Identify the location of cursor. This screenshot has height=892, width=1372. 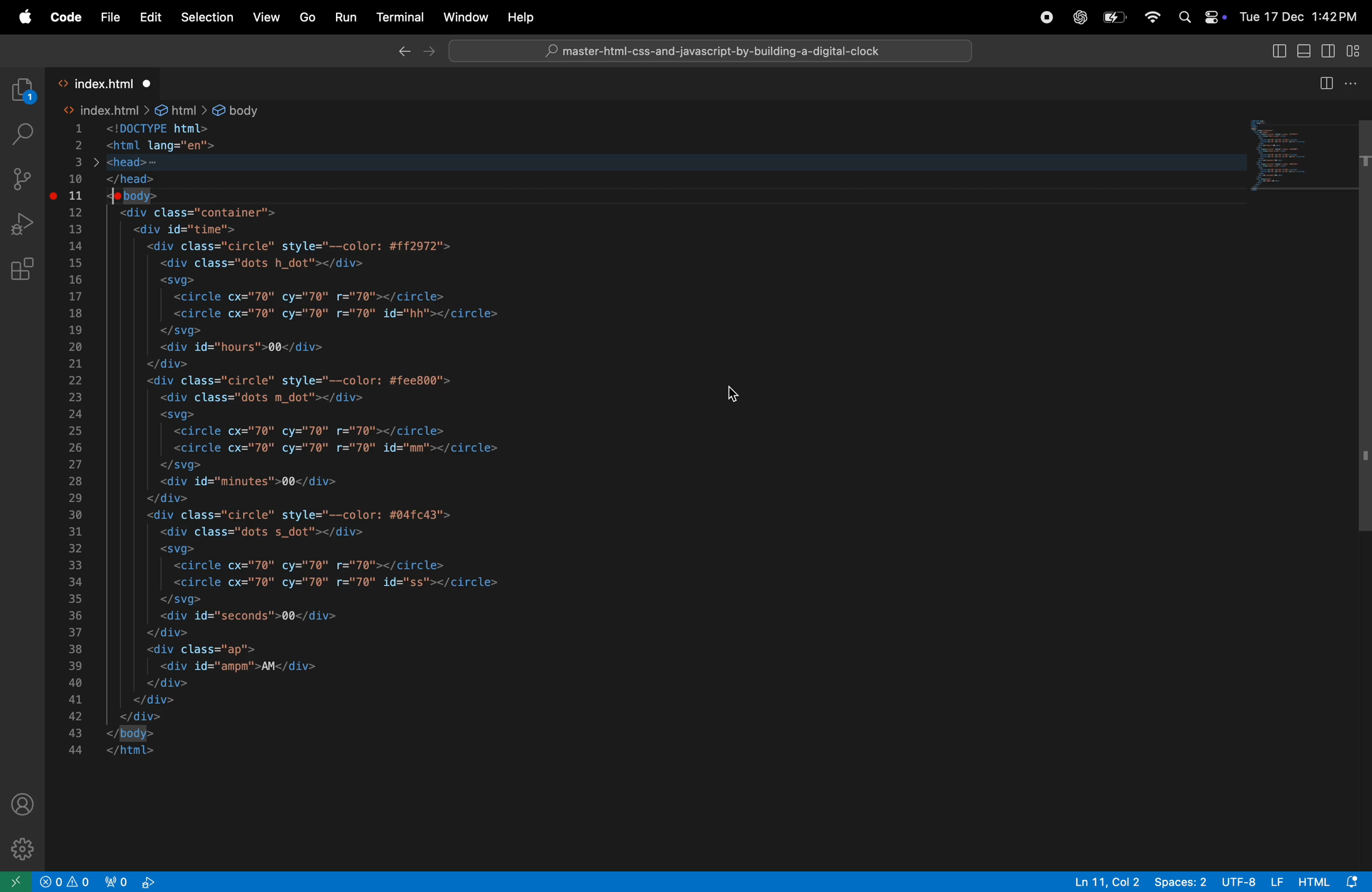
(733, 396).